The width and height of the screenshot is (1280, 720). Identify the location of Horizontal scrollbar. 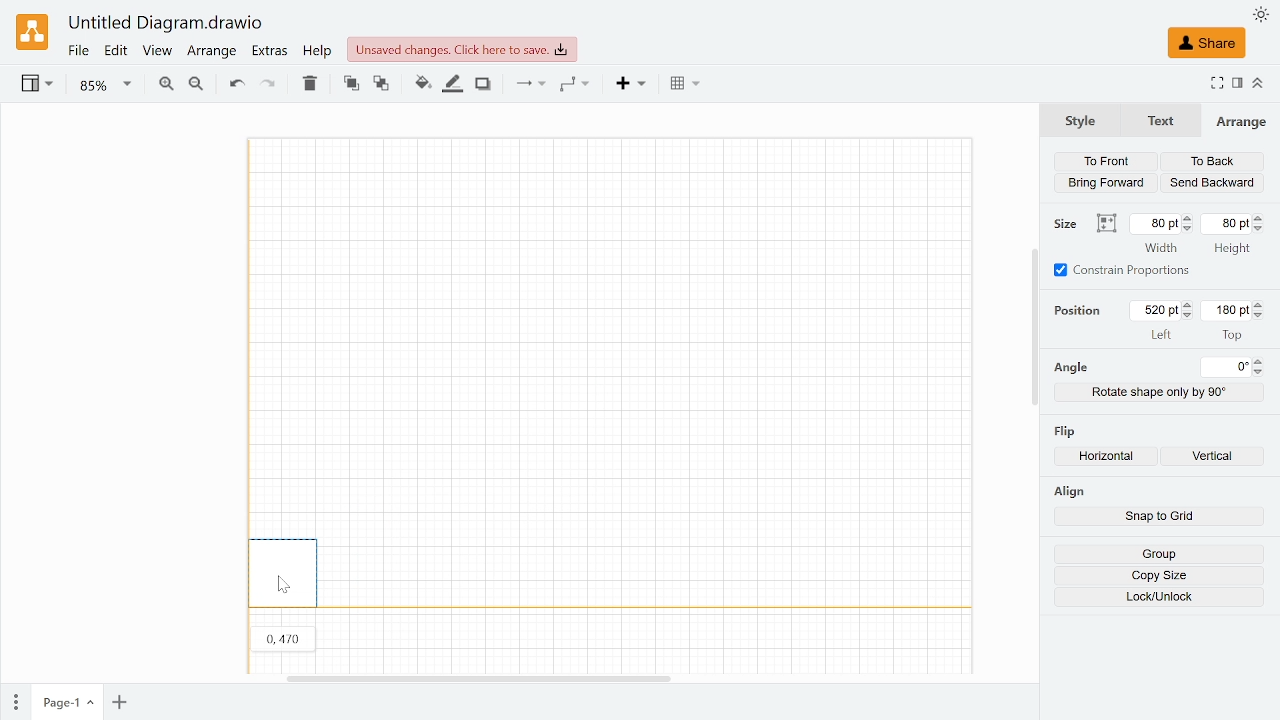
(479, 677).